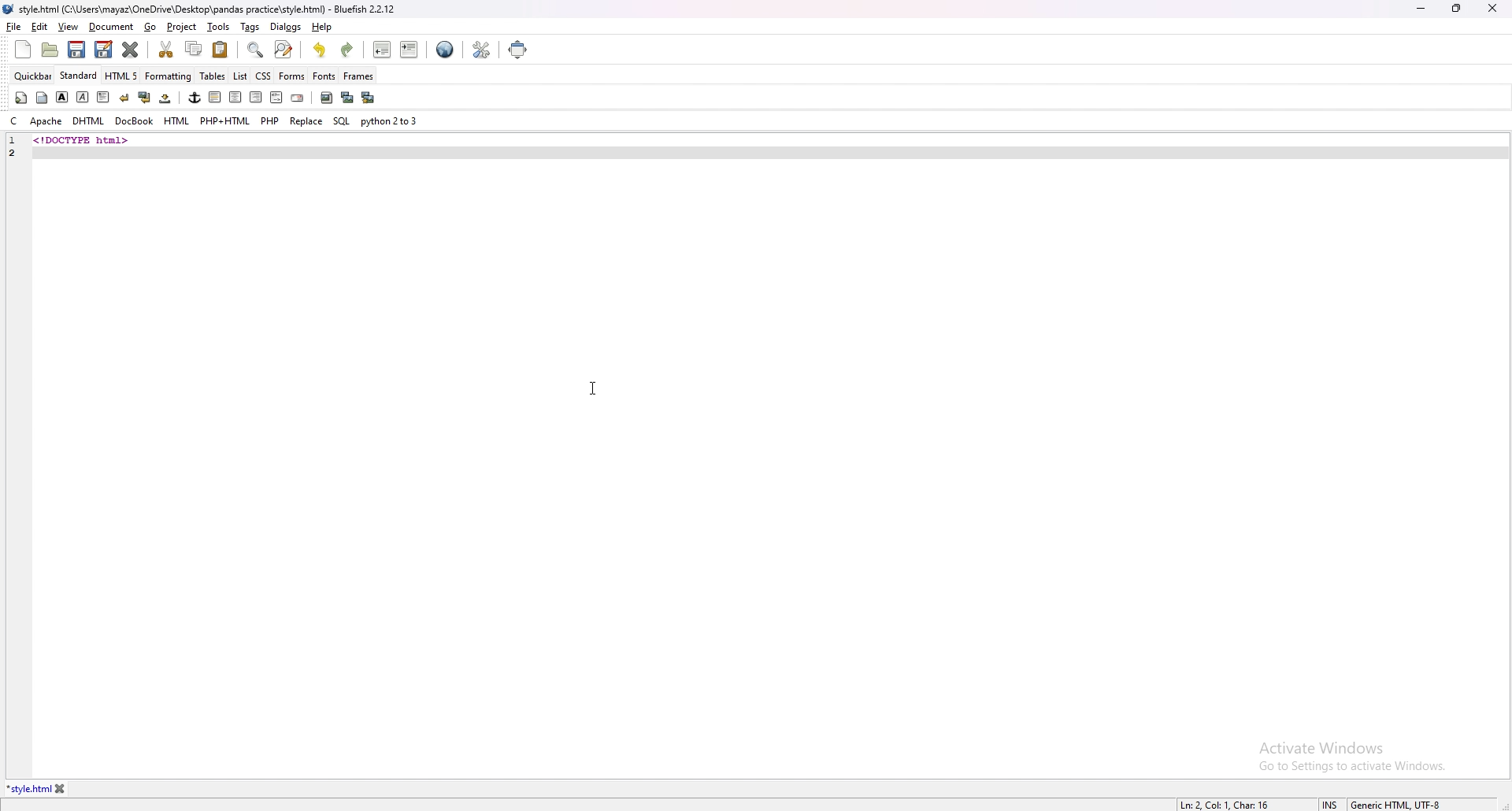 The height and width of the screenshot is (811, 1512). I want to click on italic, so click(83, 96).